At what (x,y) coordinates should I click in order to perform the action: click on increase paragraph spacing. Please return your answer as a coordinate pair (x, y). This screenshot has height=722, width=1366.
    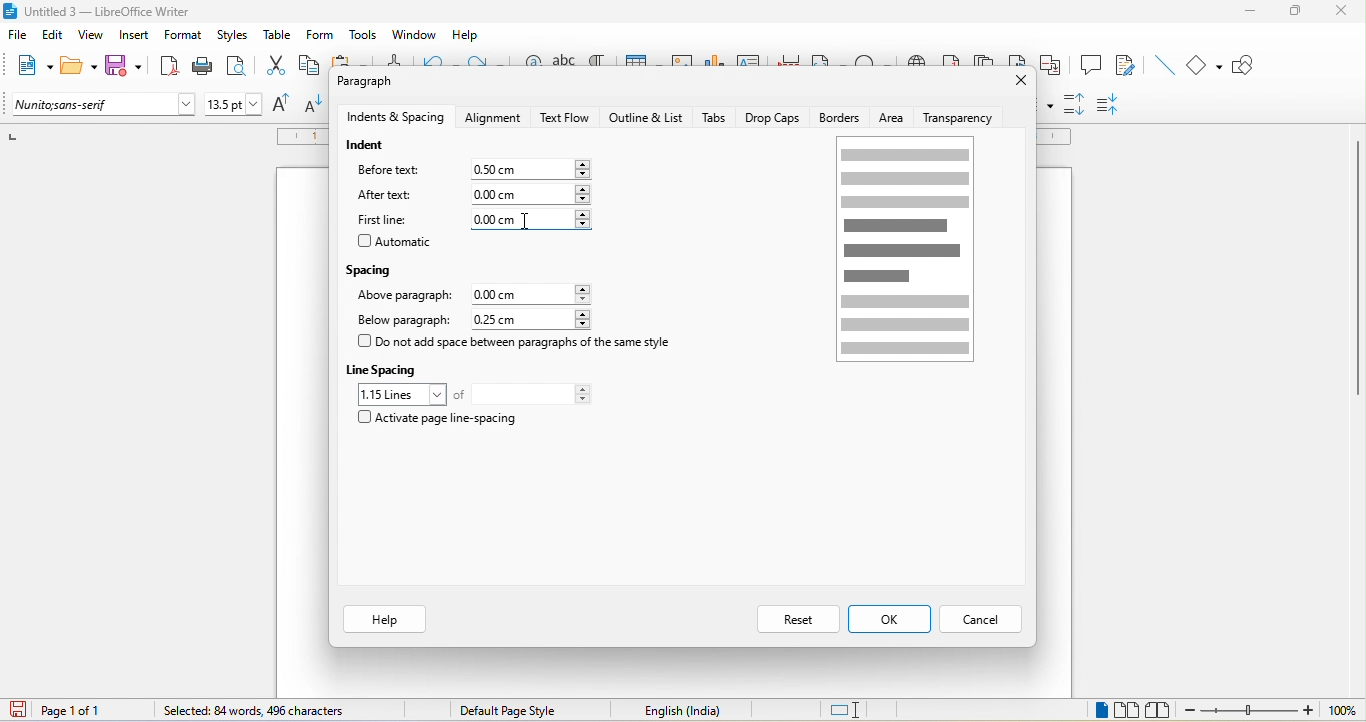
    Looking at the image, I should click on (1073, 102).